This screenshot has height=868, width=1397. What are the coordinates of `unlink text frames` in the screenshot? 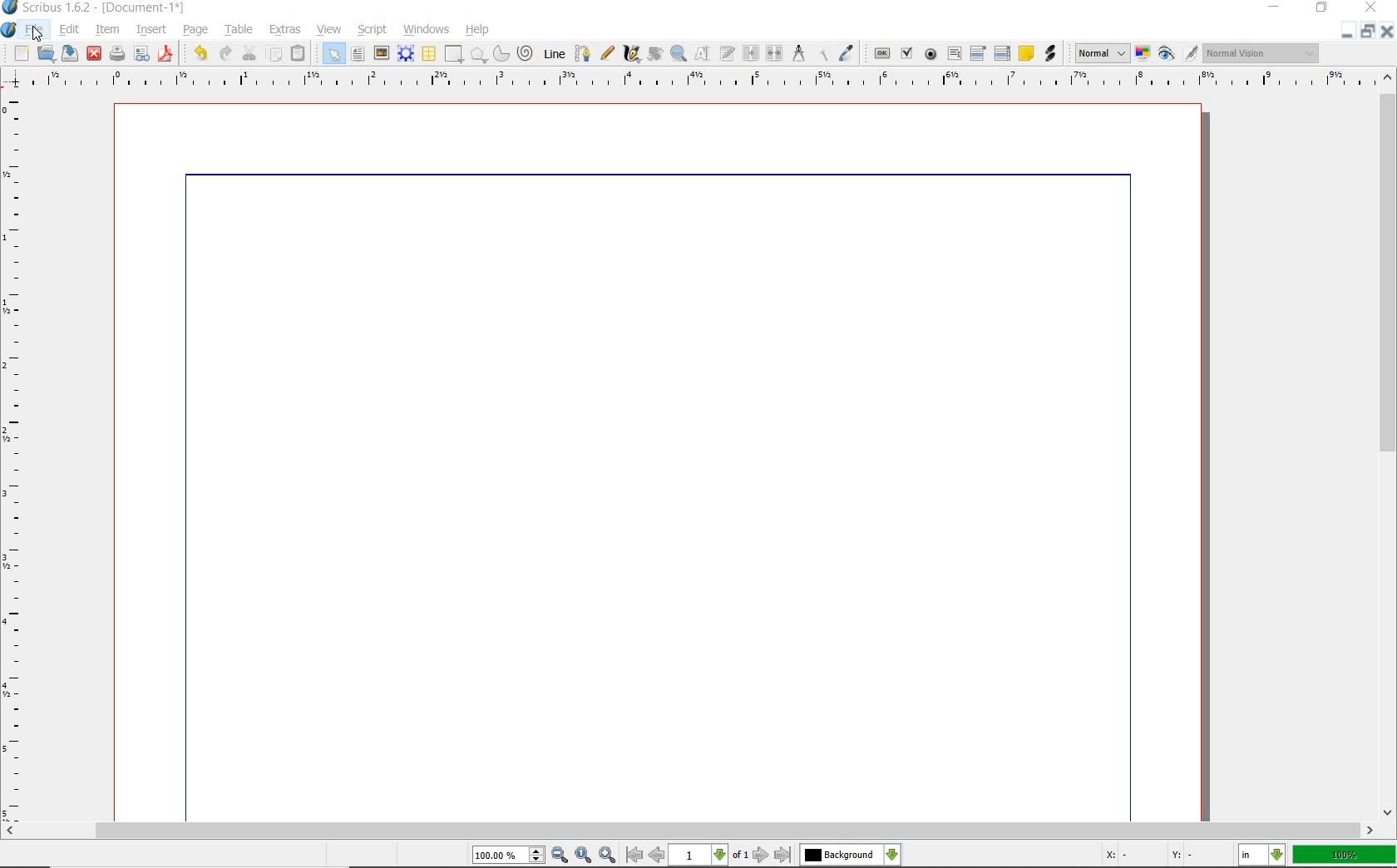 It's located at (775, 52).